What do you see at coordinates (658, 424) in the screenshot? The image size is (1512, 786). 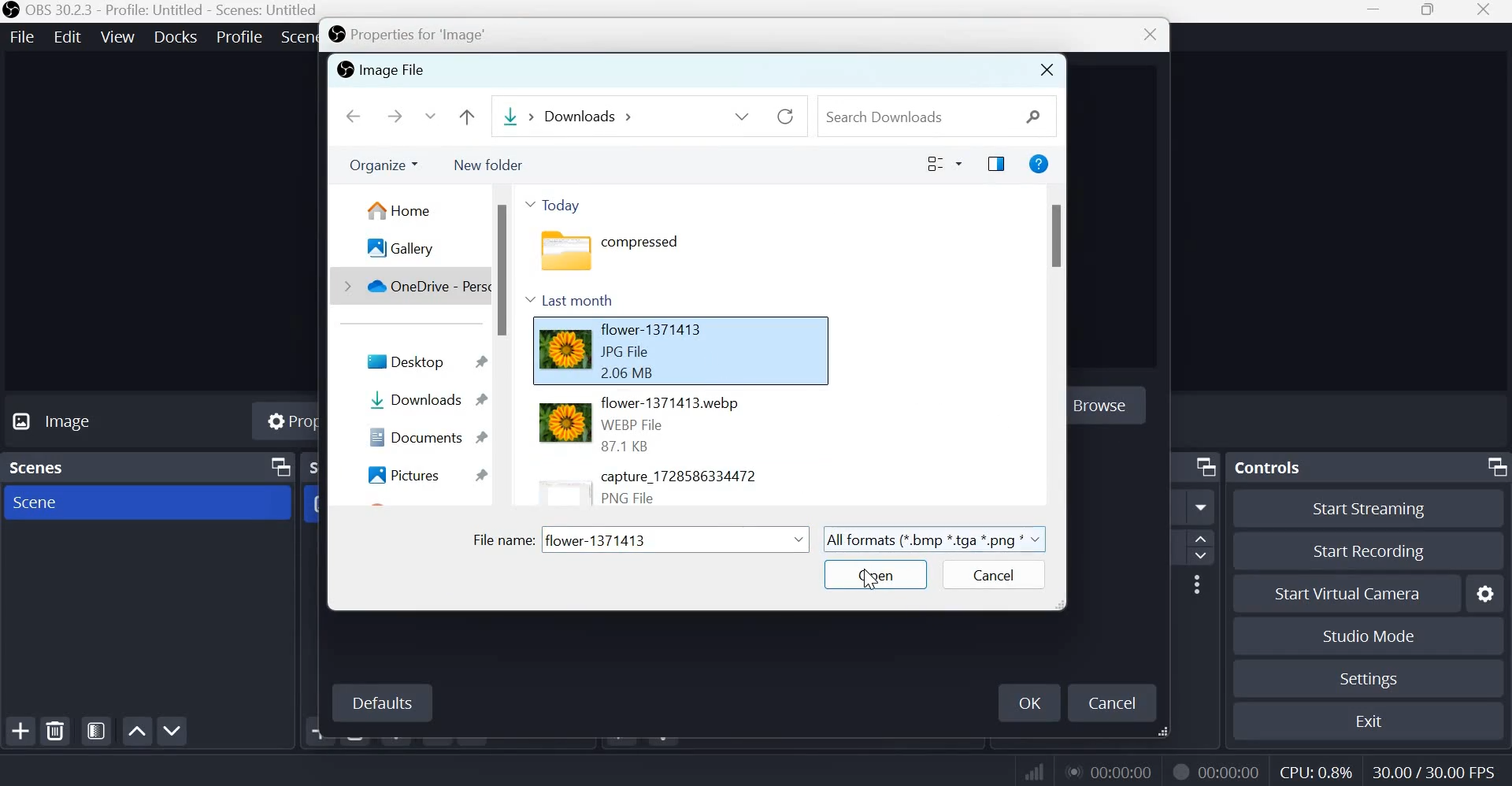 I see `flower-1371413 jpg file 2.06 MB` at bounding box center [658, 424].